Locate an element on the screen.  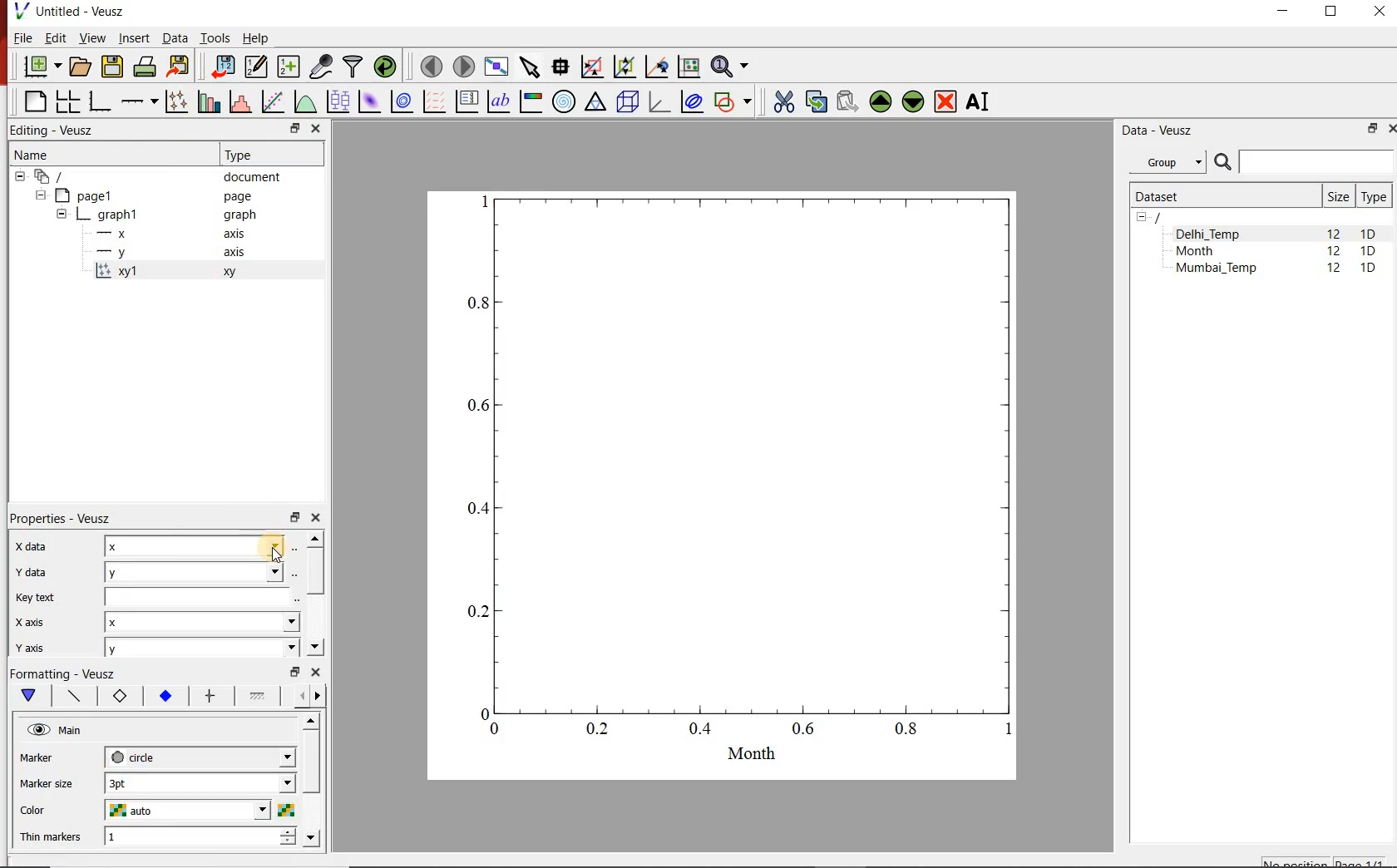
Minor ticks is located at coordinates (259, 696).